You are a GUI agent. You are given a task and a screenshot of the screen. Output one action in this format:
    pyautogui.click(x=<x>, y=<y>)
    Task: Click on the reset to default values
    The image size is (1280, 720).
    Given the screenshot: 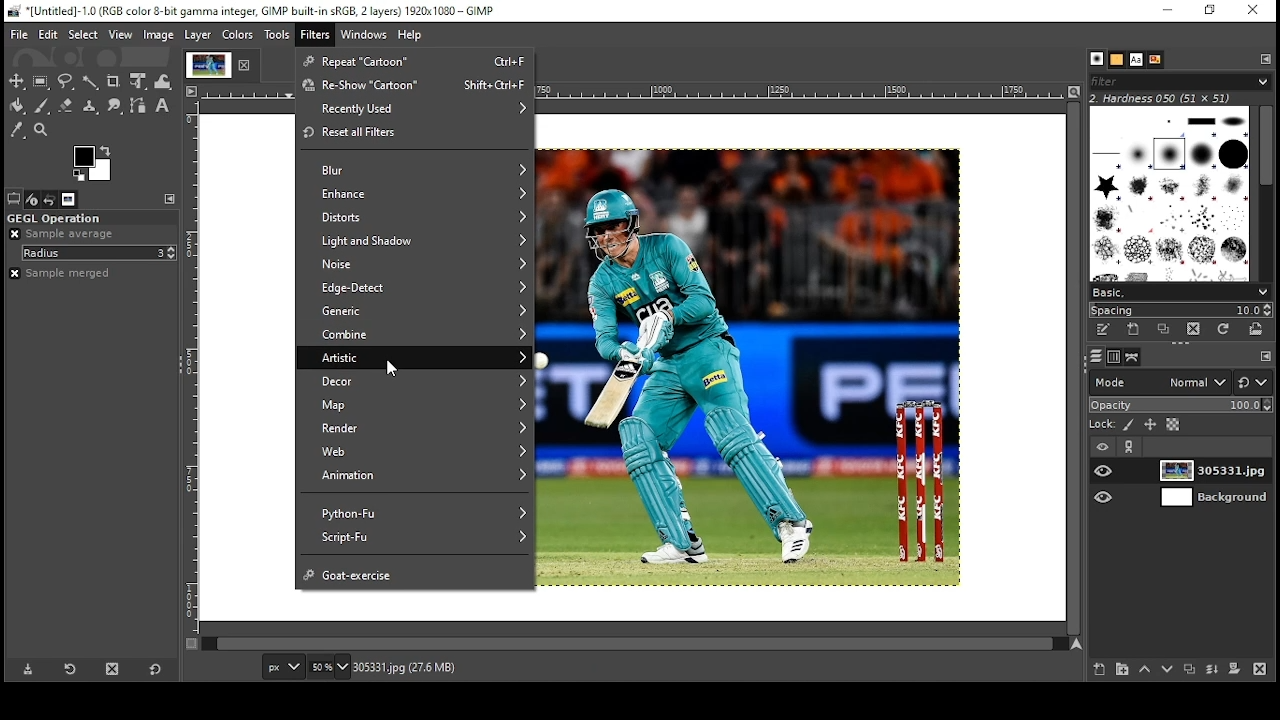 What is the action you would take?
    pyautogui.click(x=157, y=668)
    